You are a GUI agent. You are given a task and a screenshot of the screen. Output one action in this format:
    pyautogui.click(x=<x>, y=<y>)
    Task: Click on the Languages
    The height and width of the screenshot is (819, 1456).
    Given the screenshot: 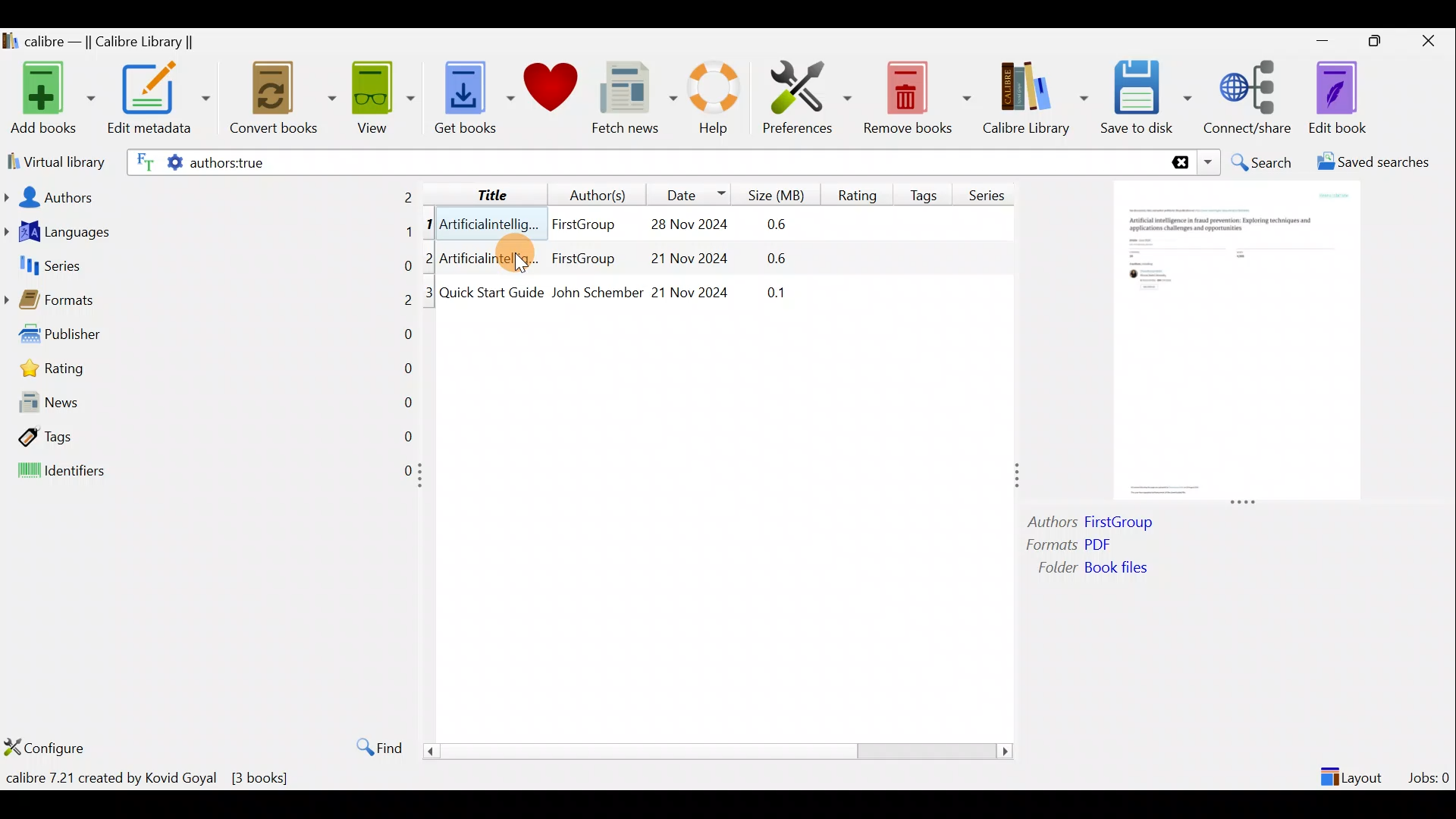 What is the action you would take?
    pyautogui.click(x=209, y=234)
    